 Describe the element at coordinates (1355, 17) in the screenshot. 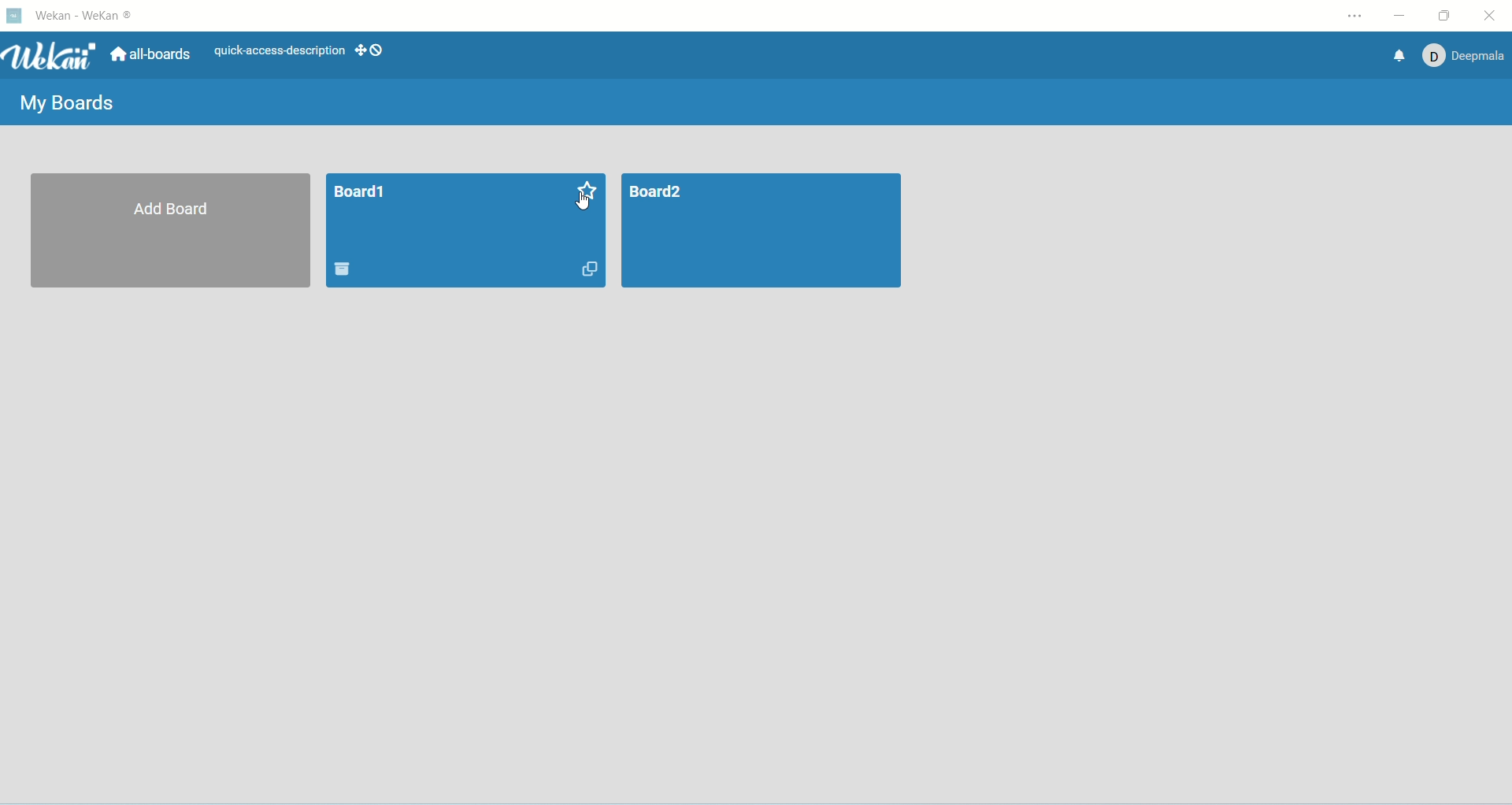

I see `settings and more` at that location.